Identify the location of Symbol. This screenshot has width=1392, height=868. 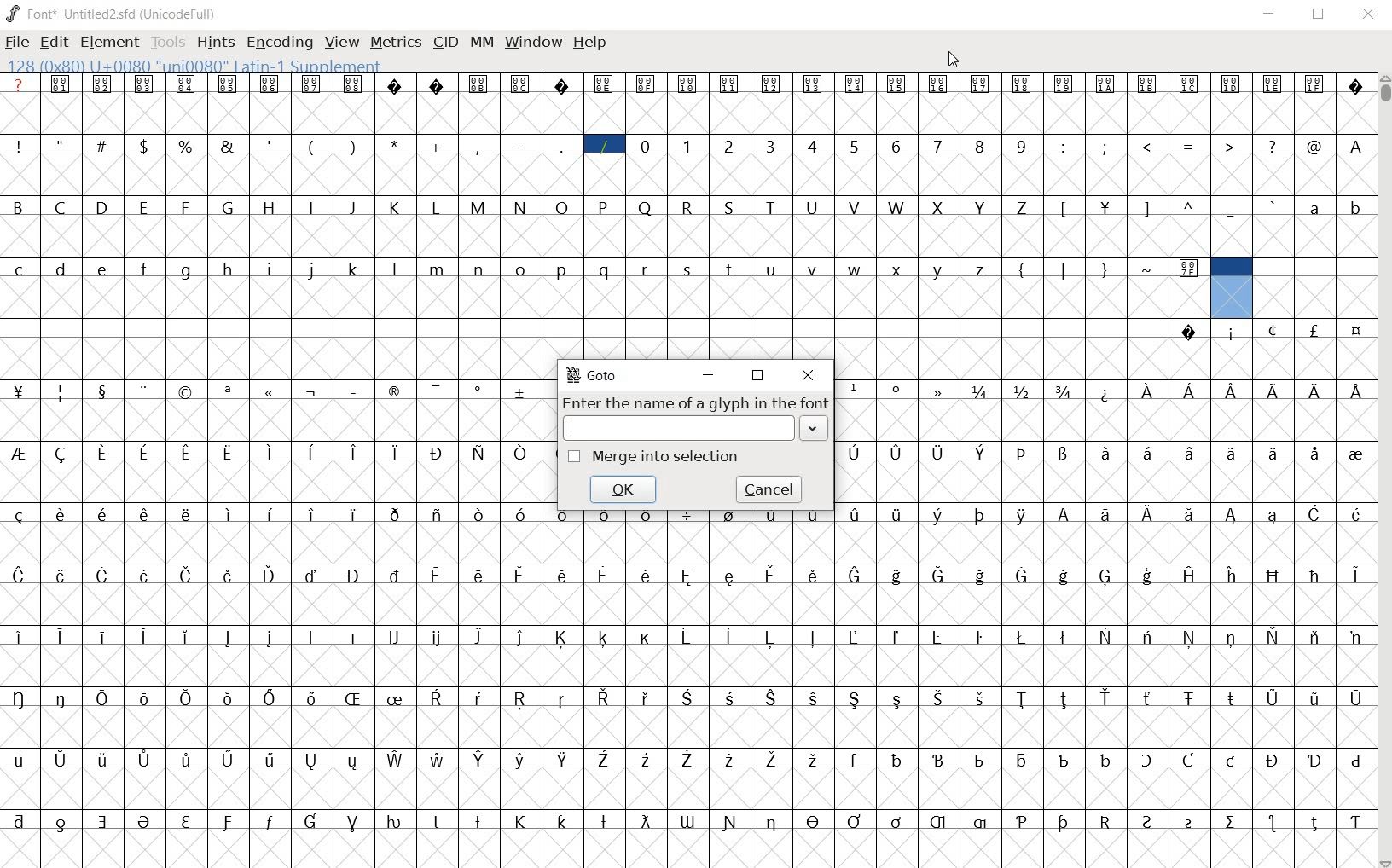
(858, 576).